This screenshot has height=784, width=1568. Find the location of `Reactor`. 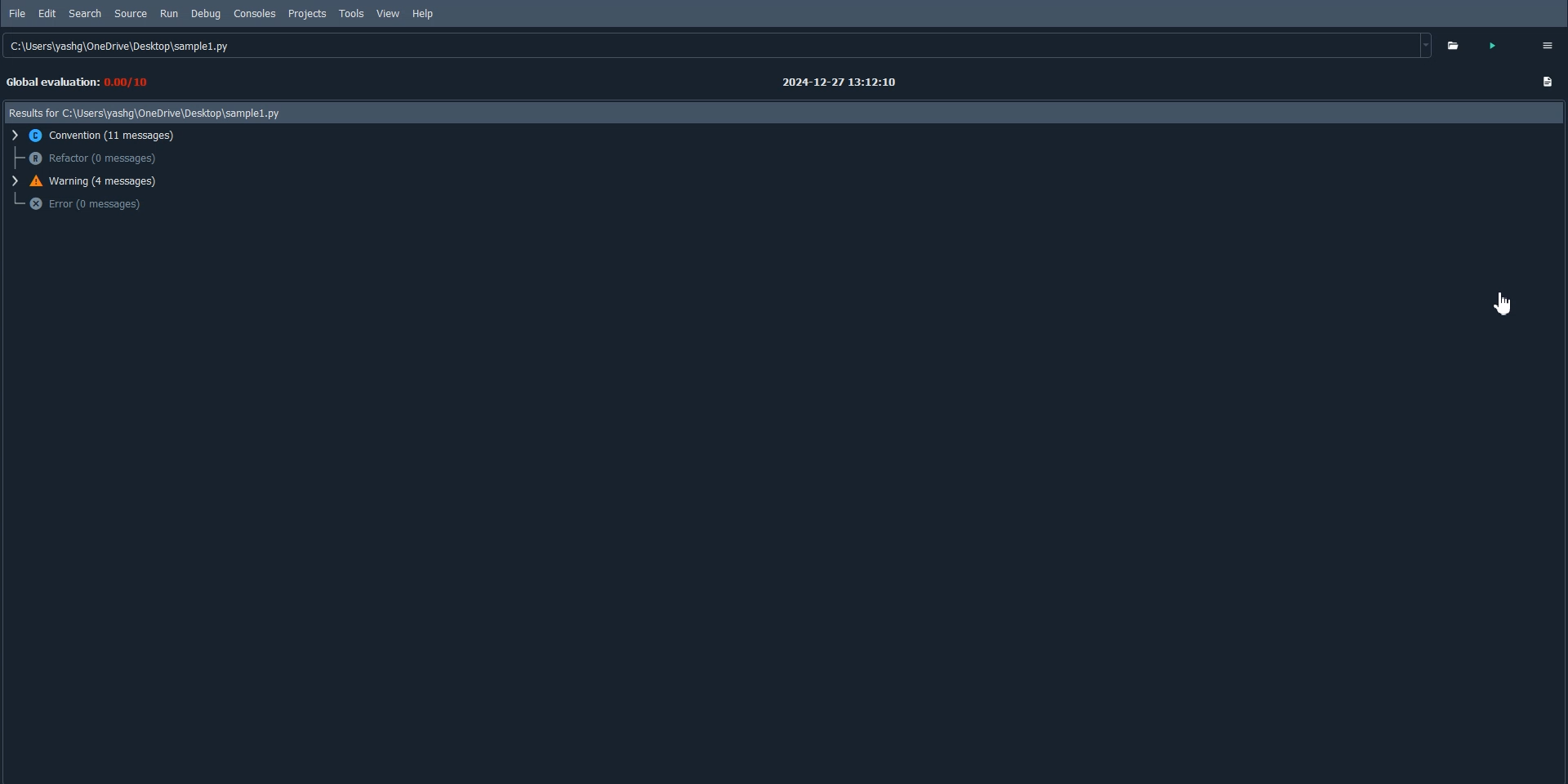

Reactor is located at coordinates (91, 158).